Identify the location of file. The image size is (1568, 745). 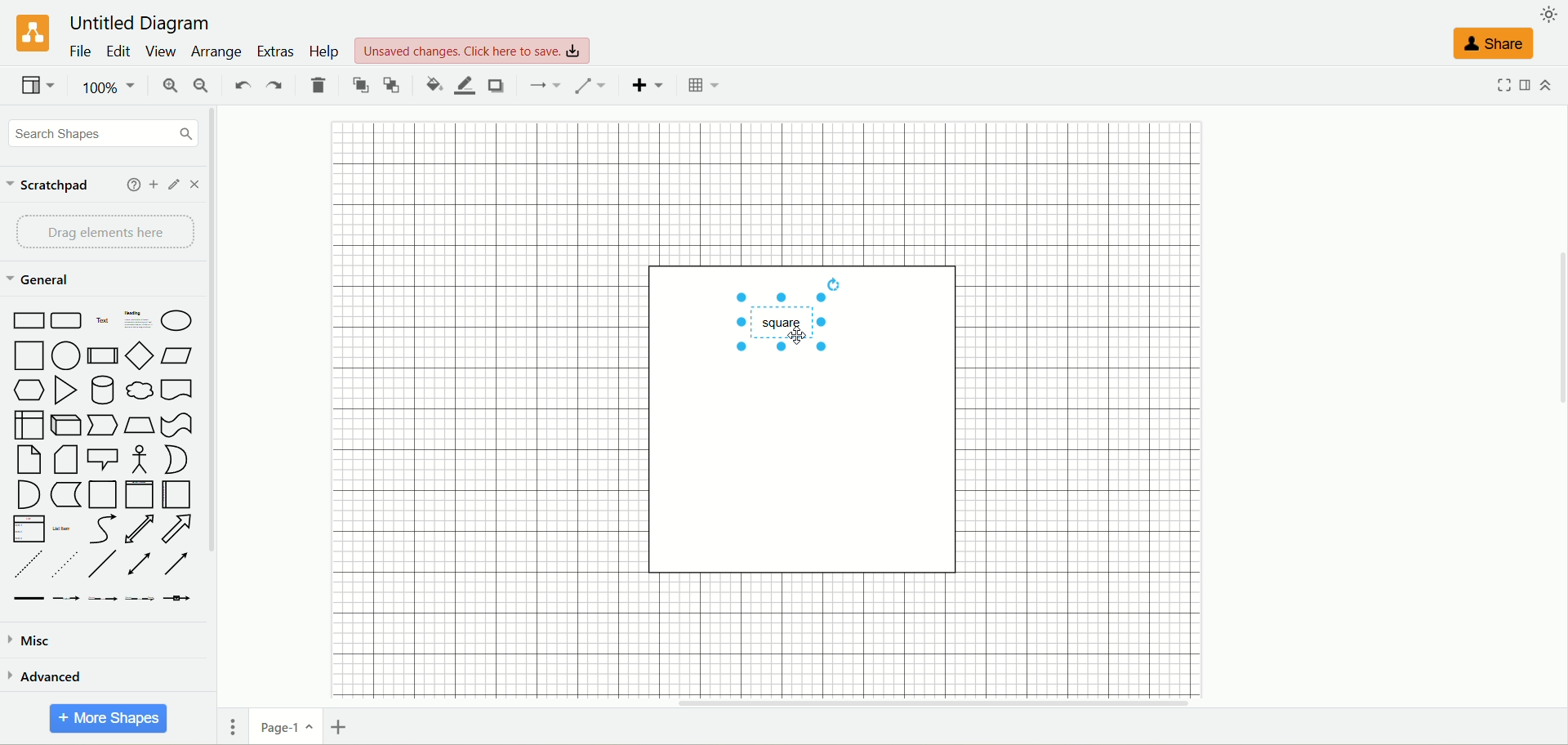
(82, 52).